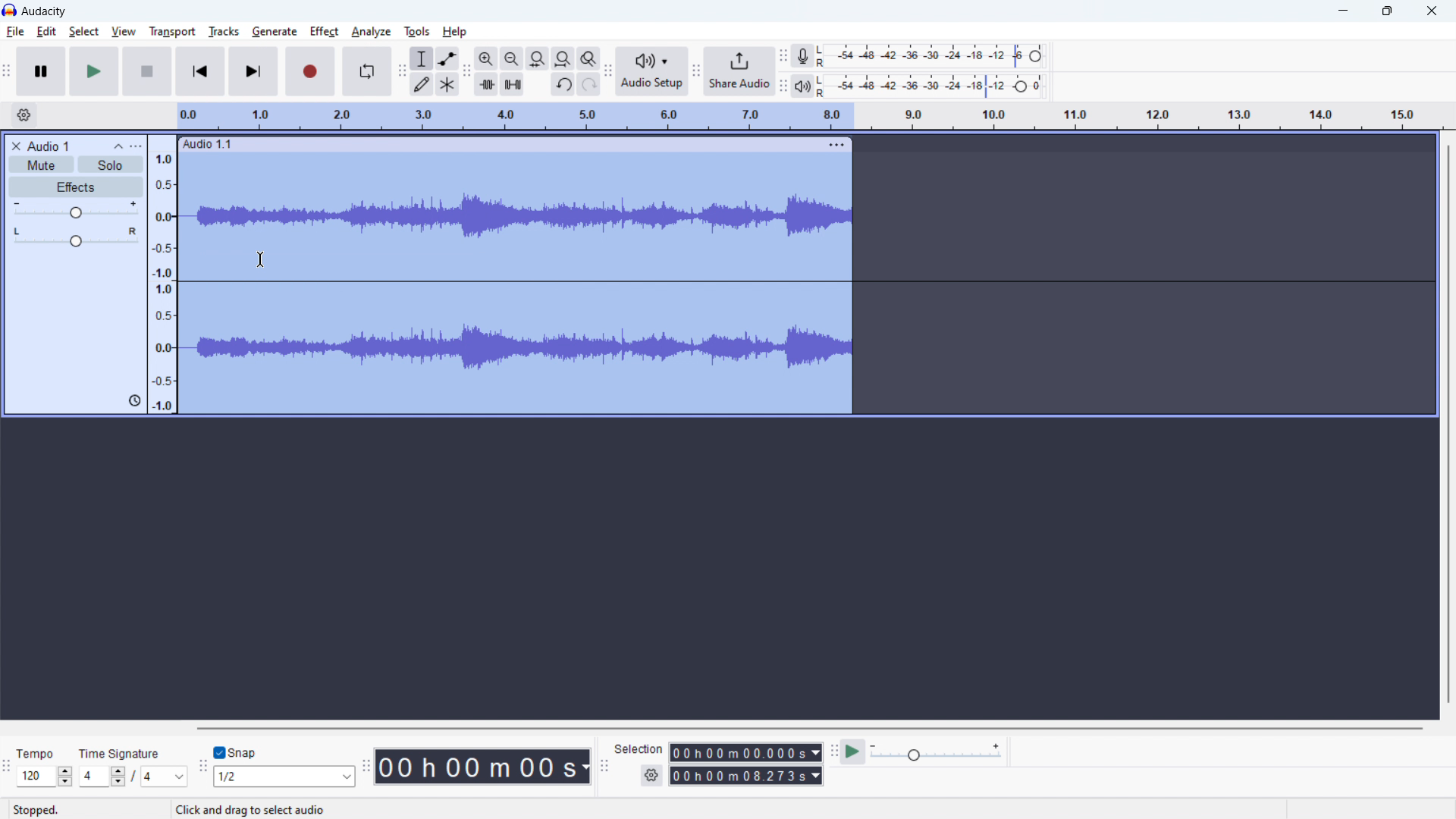 This screenshot has width=1456, height=819. I want to click on recording level, so click(927, 56).